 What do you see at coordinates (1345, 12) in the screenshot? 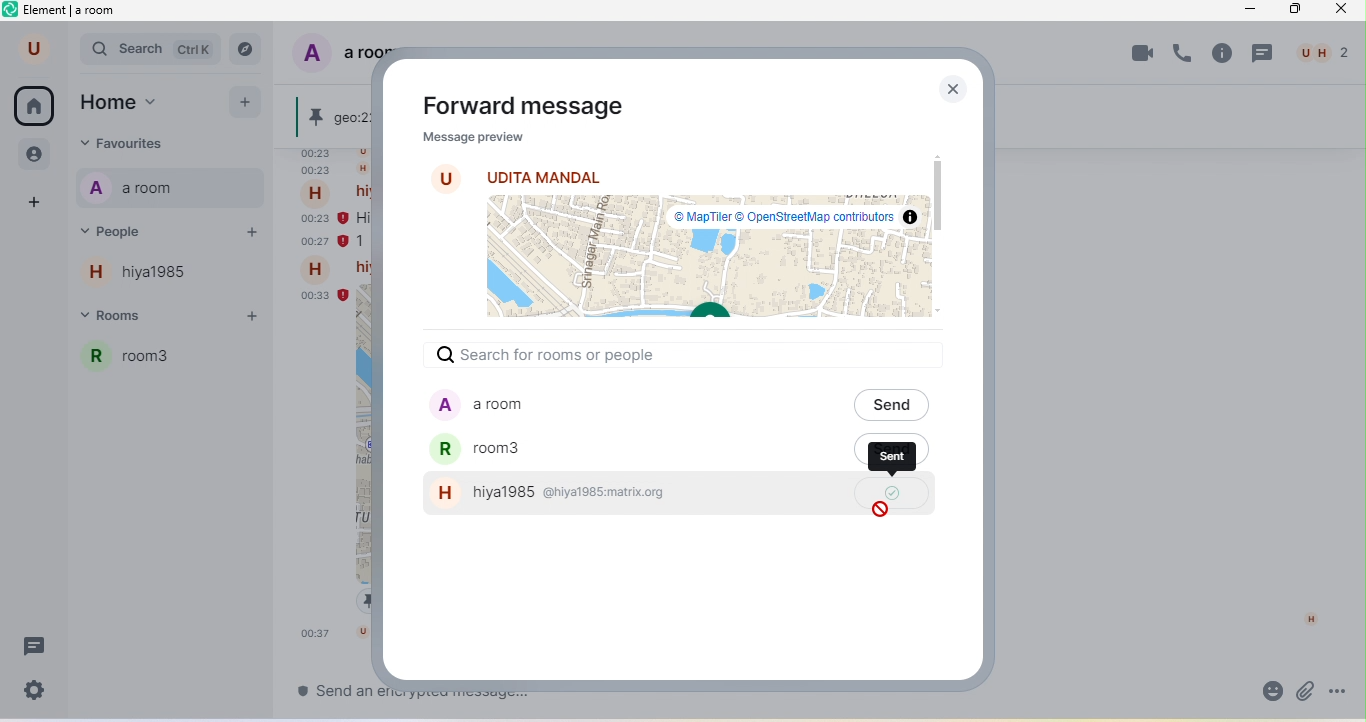
I see `close` at bounding box center [1345, 12].